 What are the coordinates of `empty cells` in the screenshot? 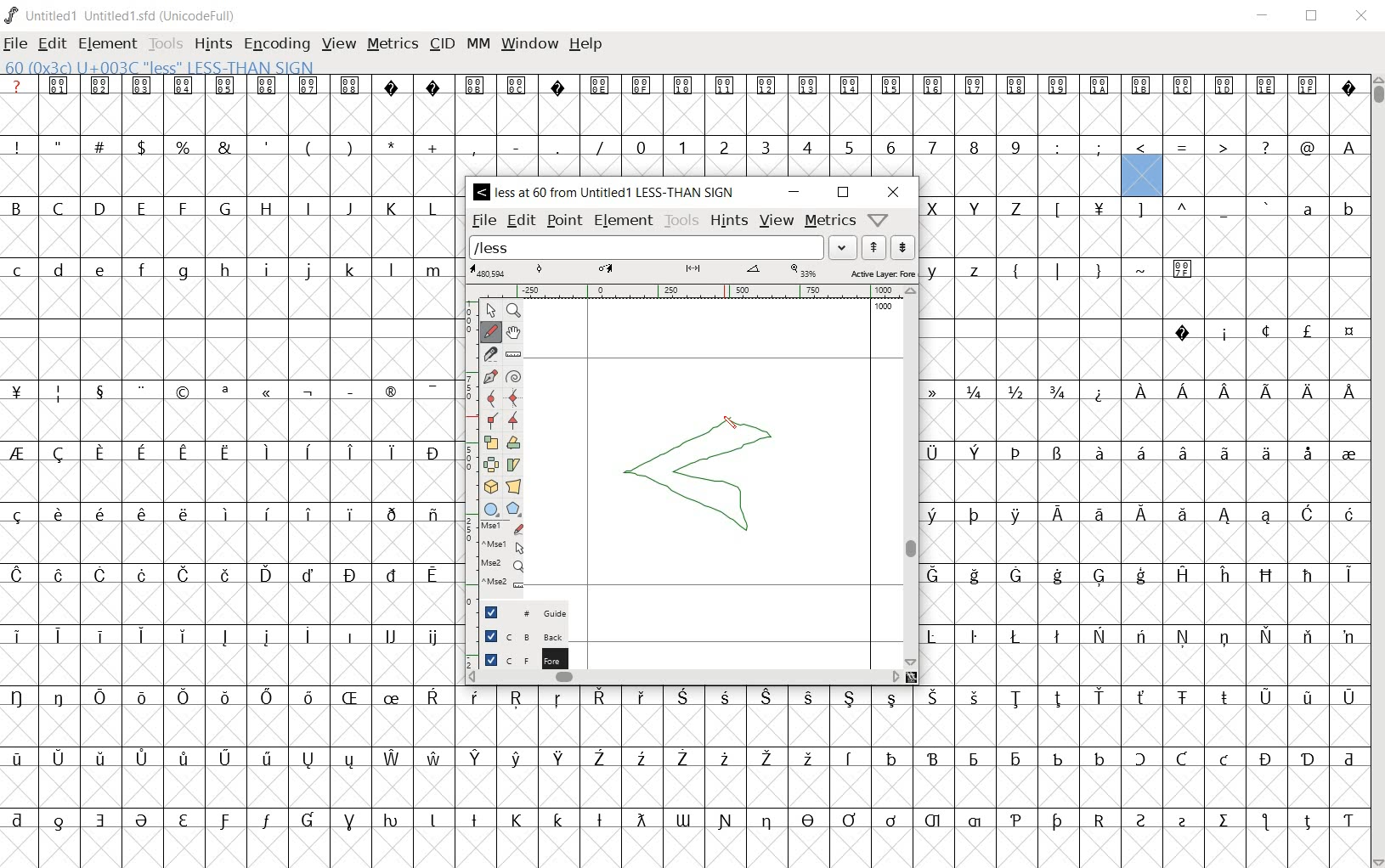 It's located at (229, 176).